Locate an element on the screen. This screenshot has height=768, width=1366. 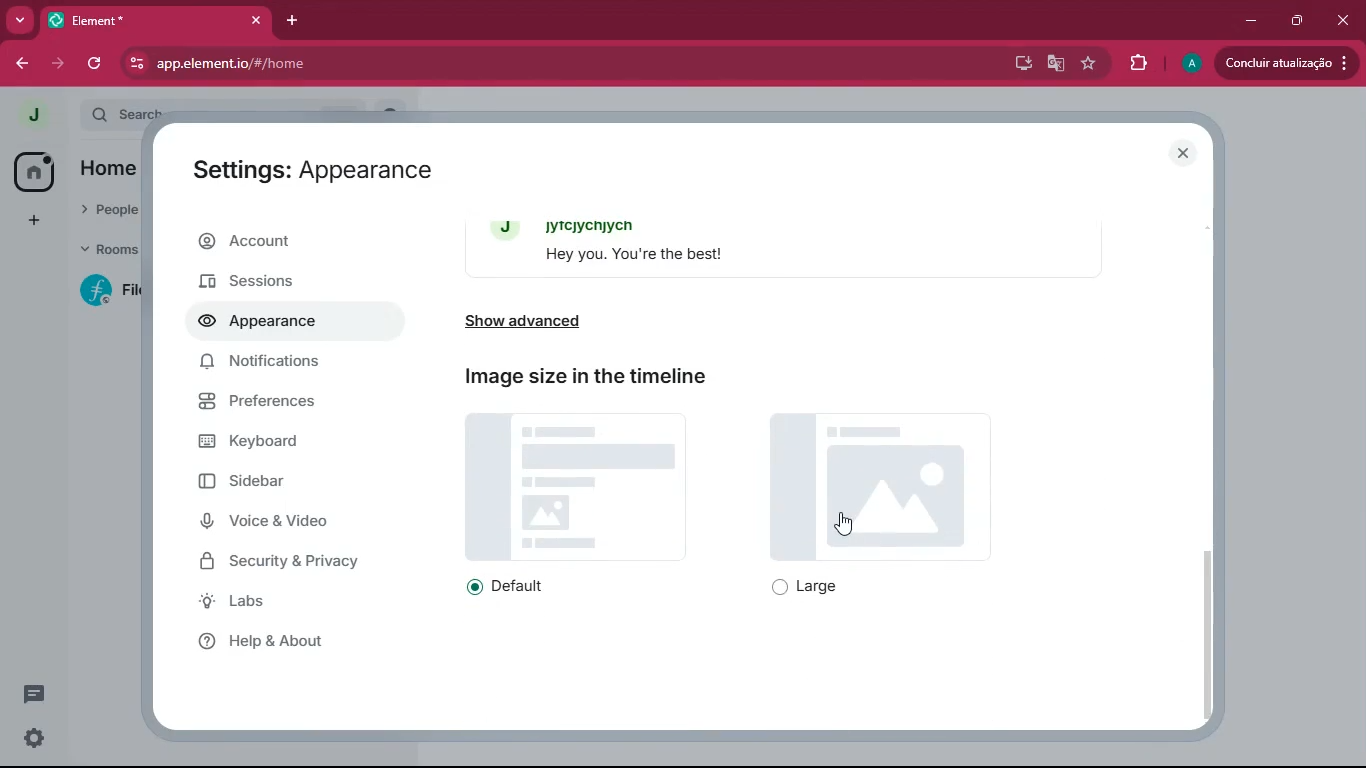
Element* is located at coordinates (143, 19).